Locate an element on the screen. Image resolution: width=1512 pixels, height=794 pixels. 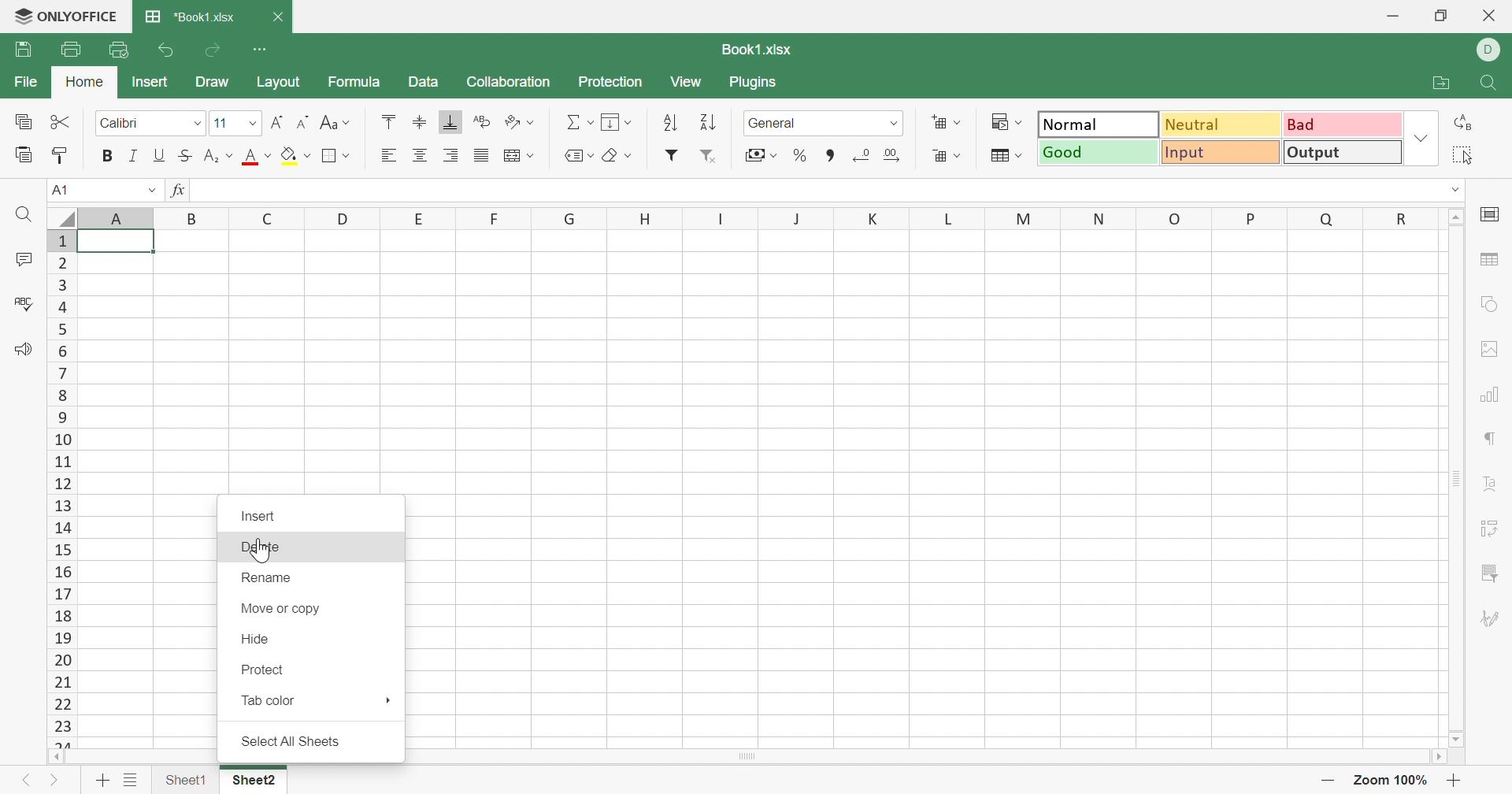
Drop Down is located at coordinates (1458, 187).